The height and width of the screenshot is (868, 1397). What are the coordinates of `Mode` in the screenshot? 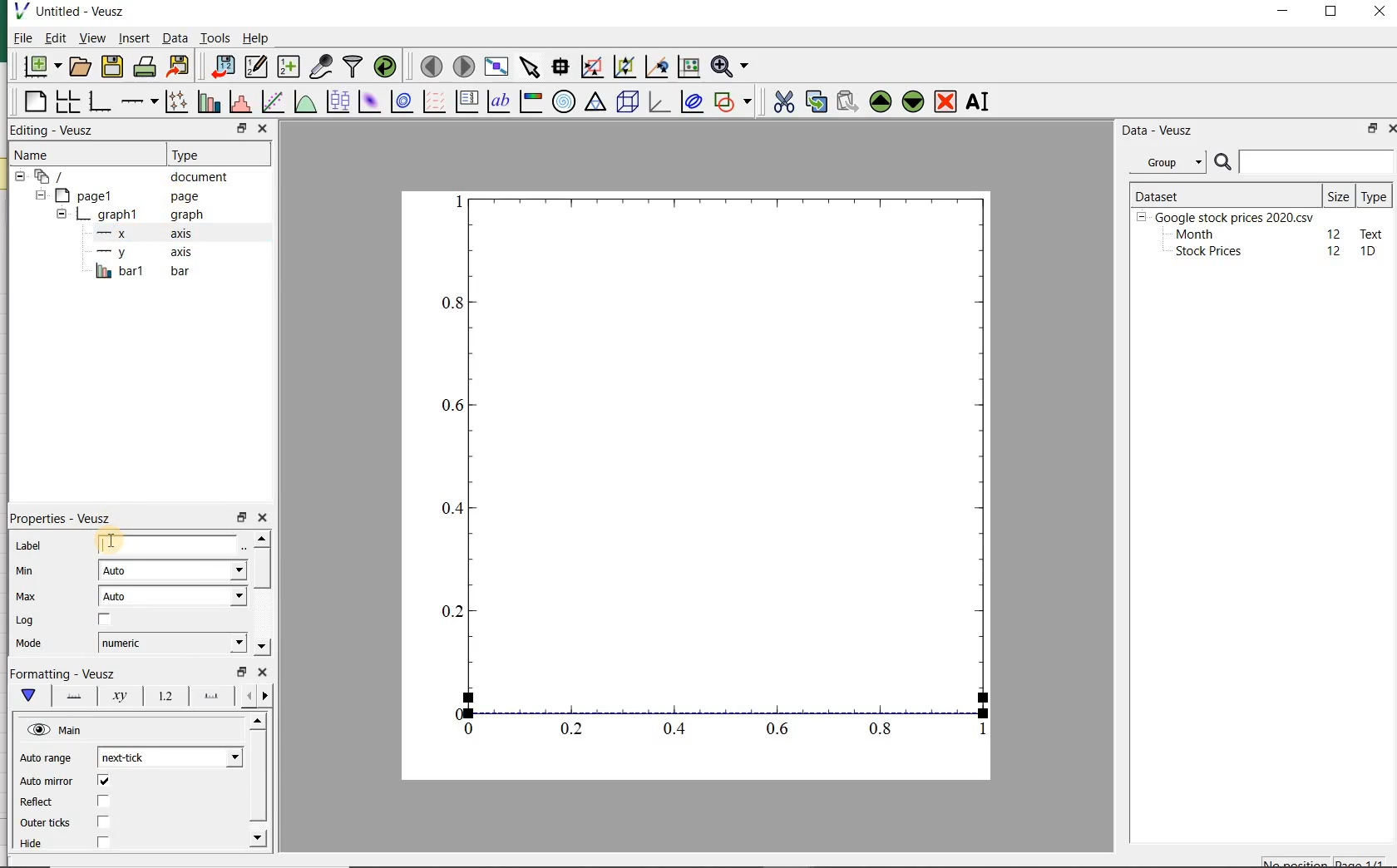 It's located at (26, 644).